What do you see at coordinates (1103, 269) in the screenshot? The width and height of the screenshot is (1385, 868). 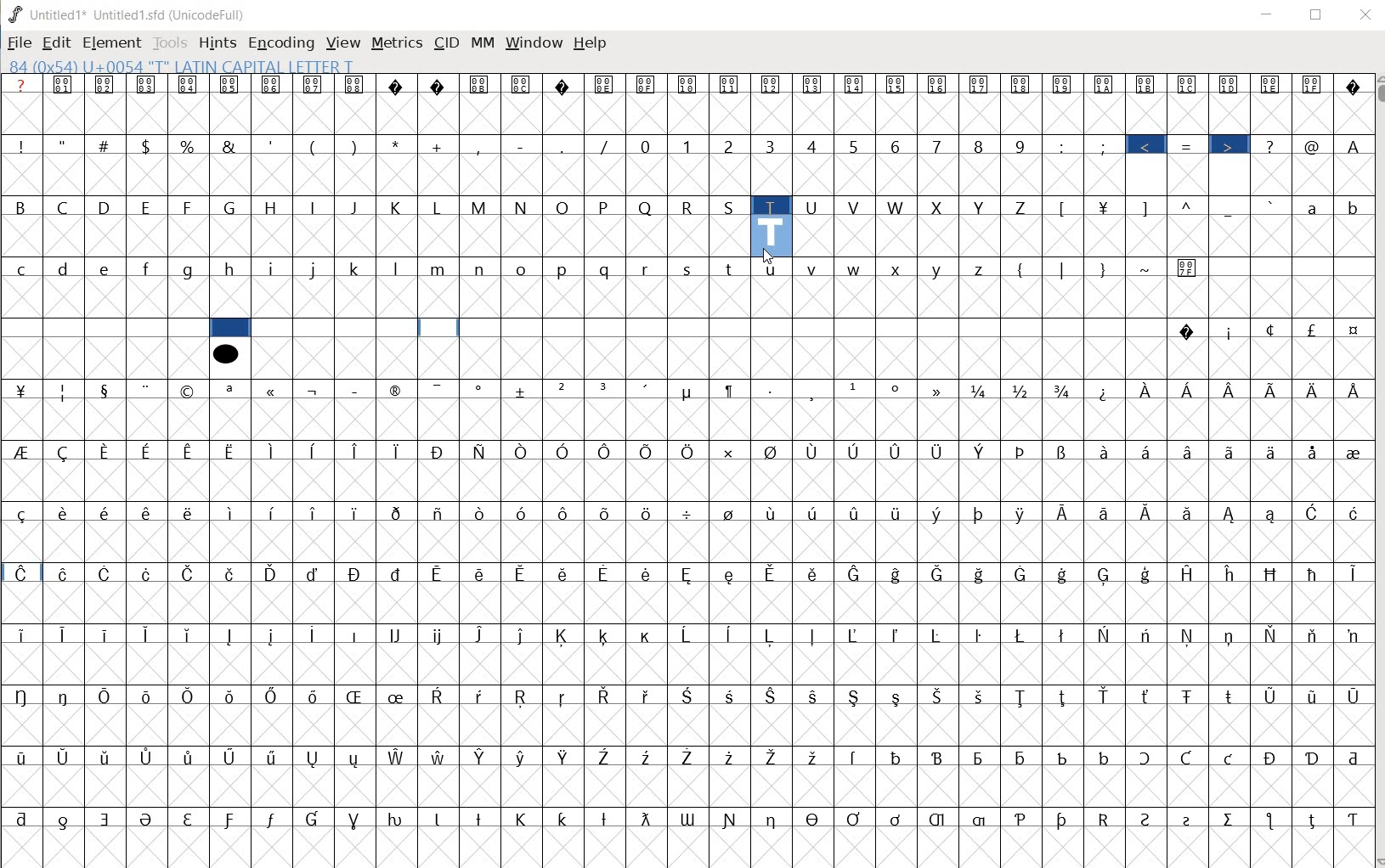 I see `)` at bounding box center [1103, 269].